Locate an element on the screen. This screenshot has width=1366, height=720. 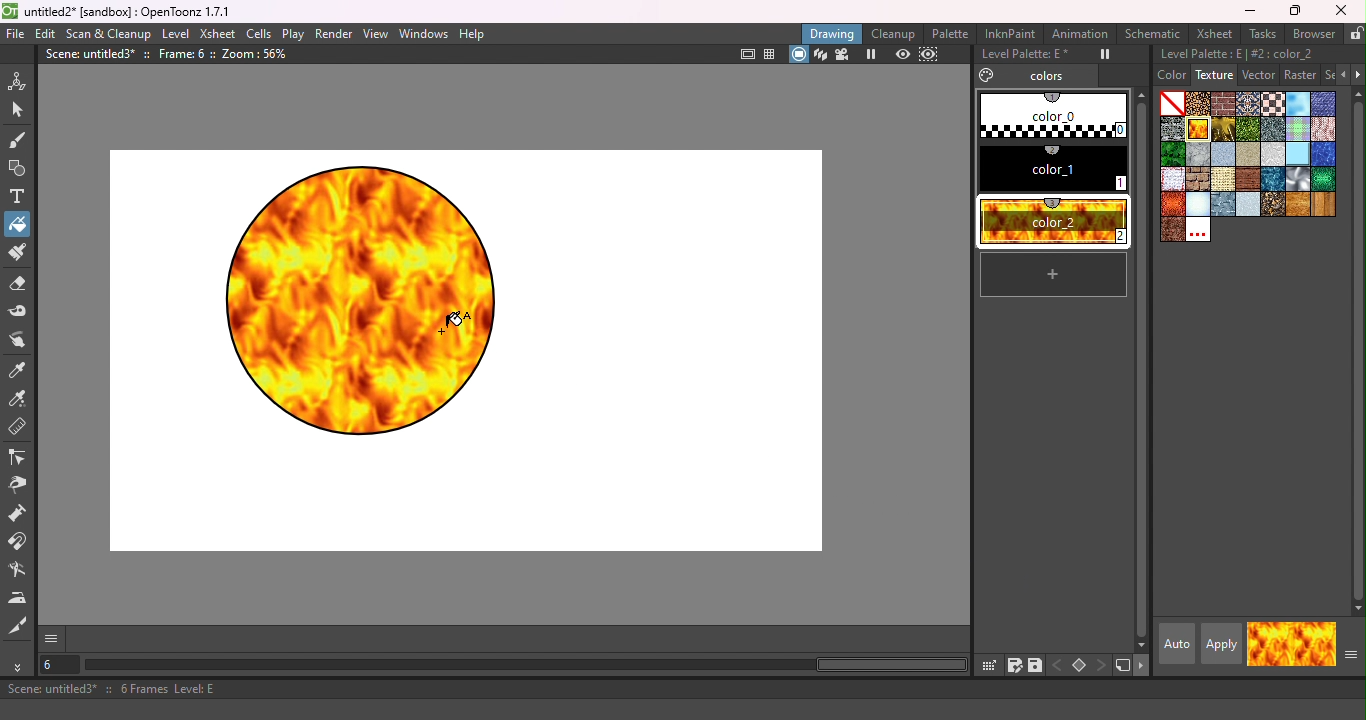
new style is located at coordinates (1054, 274).